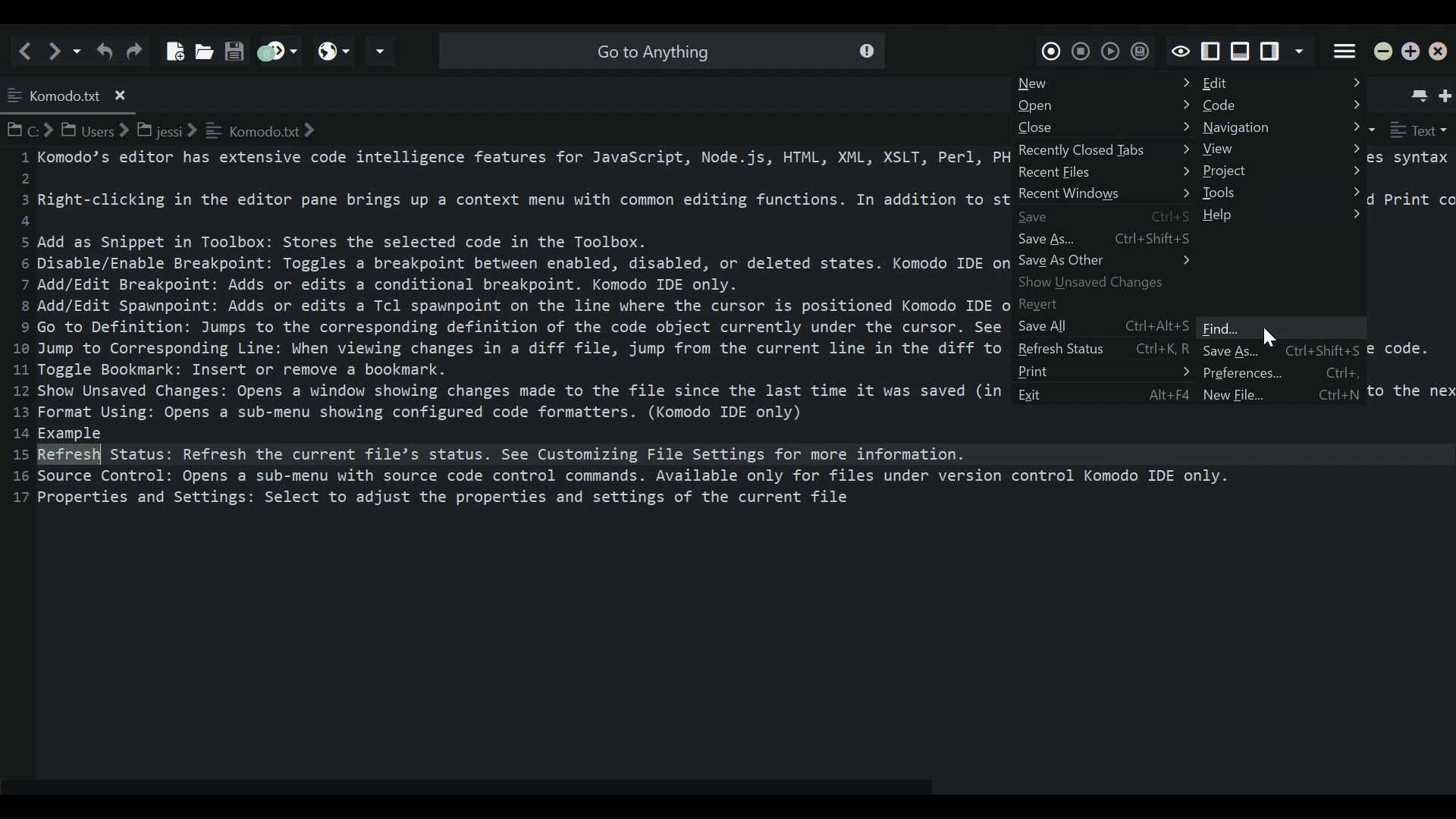 This screenshot has height=819, width=1456. I want to click on Close, so click(1104, 129).